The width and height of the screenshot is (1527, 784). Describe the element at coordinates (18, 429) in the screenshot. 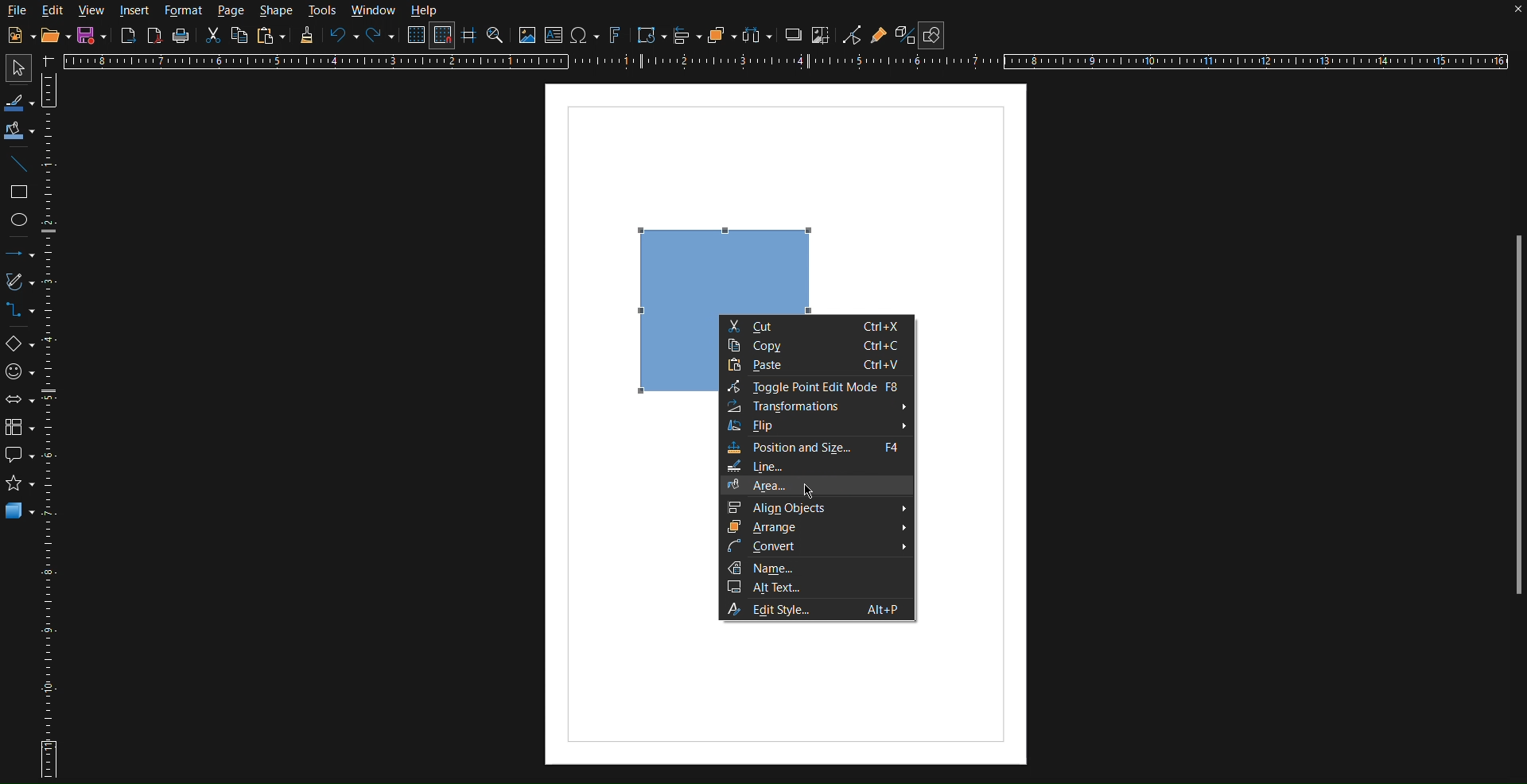

I see `Flowchart` at that location.